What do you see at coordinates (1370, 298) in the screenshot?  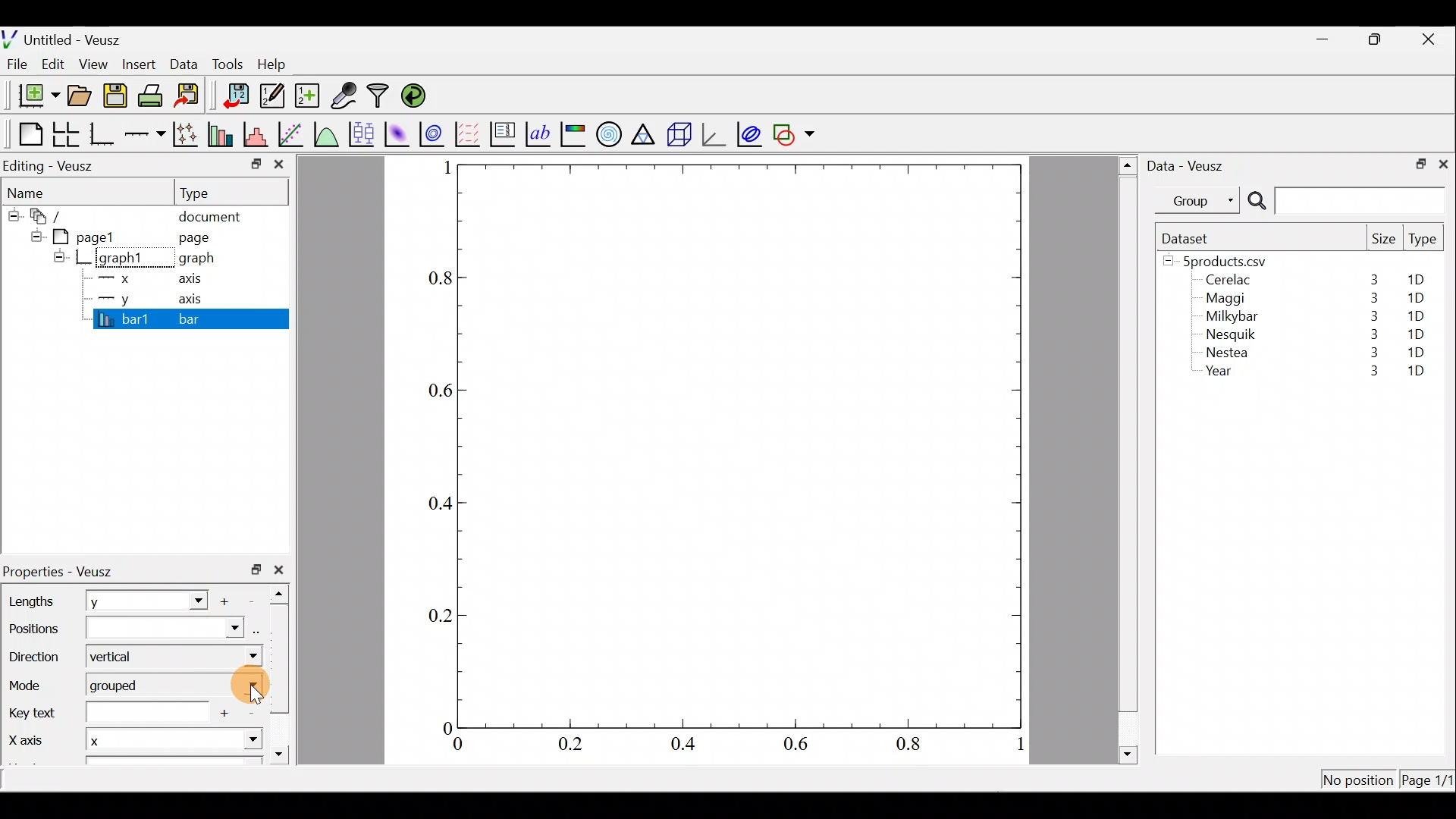 I see `3` at bounding box center [1370, 298].